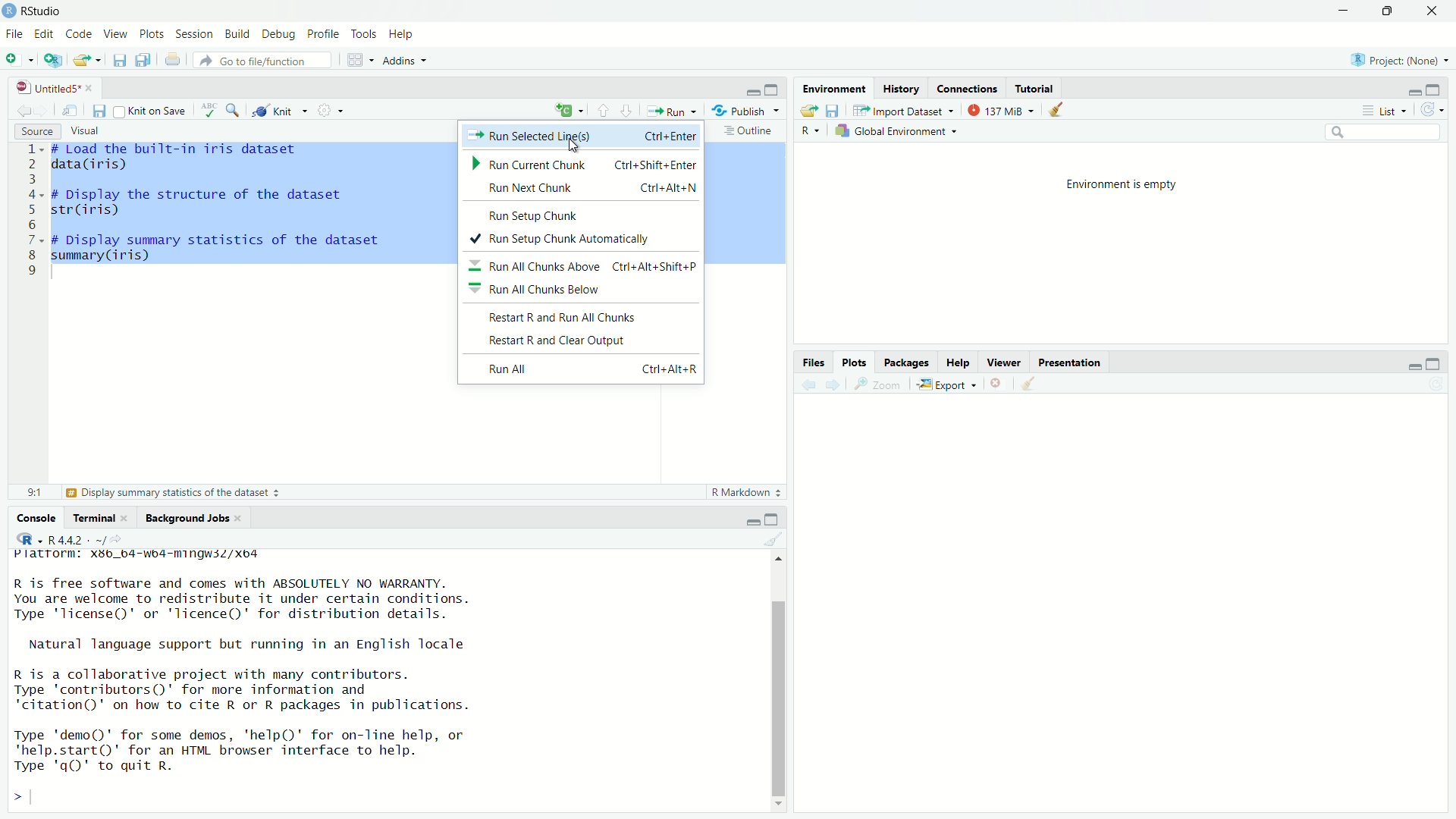 The height and width of the screenshot is (819, 1456). What do you see at coordinates (774, 519) in the screenshot?
I see `Full Height` at bounding box center [774, 519].